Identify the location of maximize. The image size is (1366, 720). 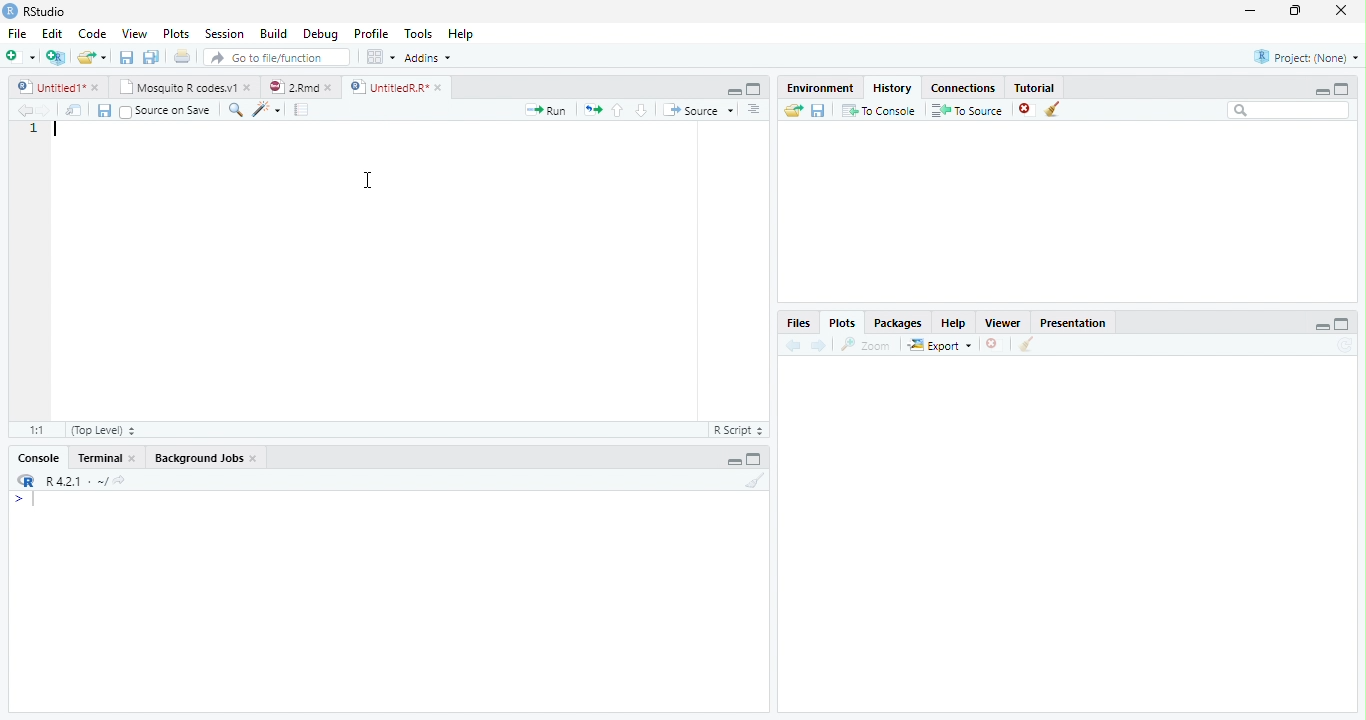
(756, 459).